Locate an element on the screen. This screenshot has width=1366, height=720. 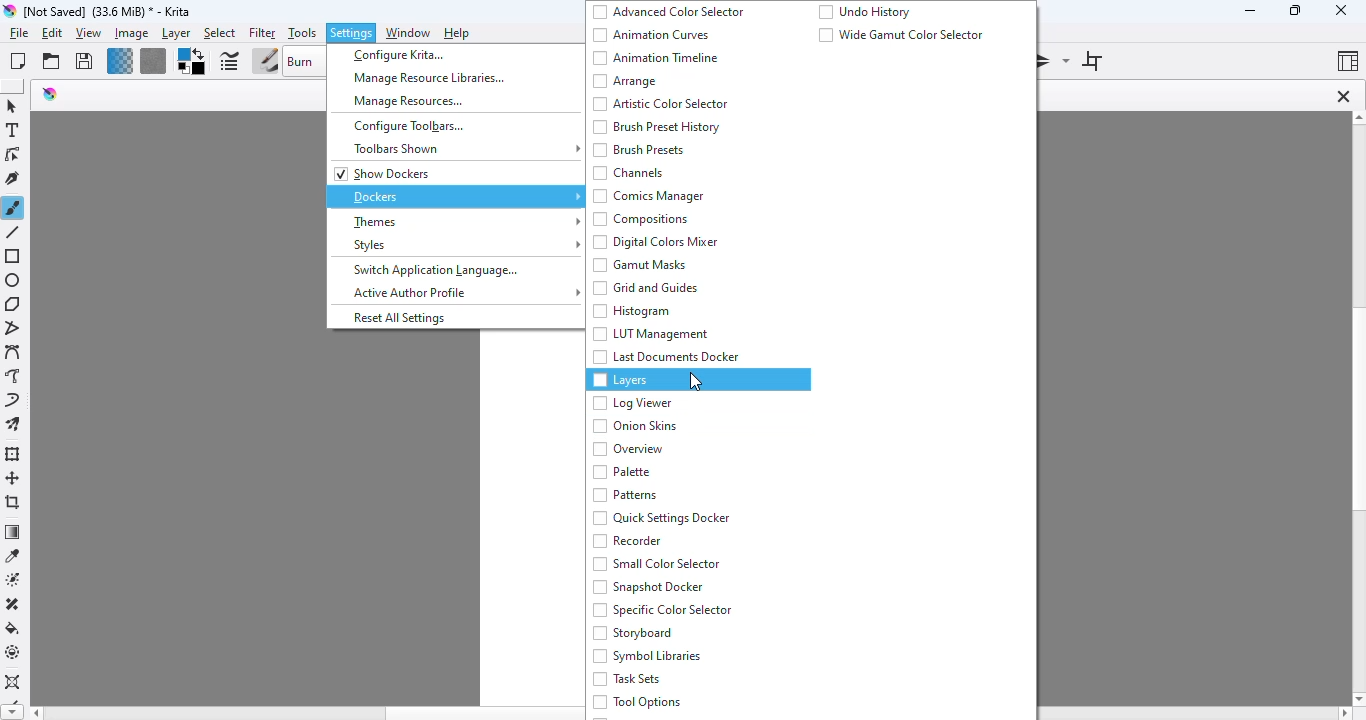
scroll down is located at coordinates (1357, 699).